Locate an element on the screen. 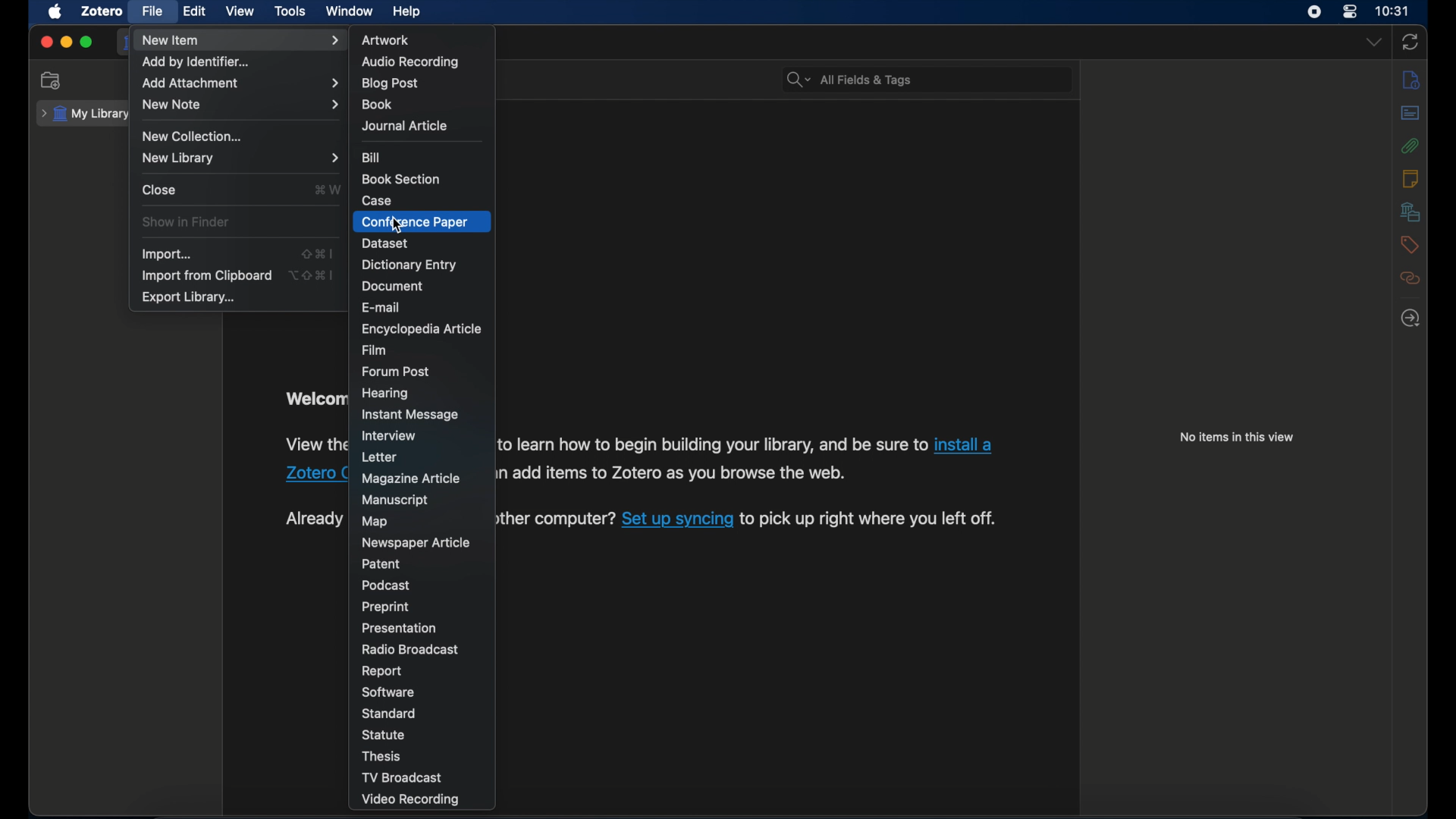  books is located at coordinates (378, 104).